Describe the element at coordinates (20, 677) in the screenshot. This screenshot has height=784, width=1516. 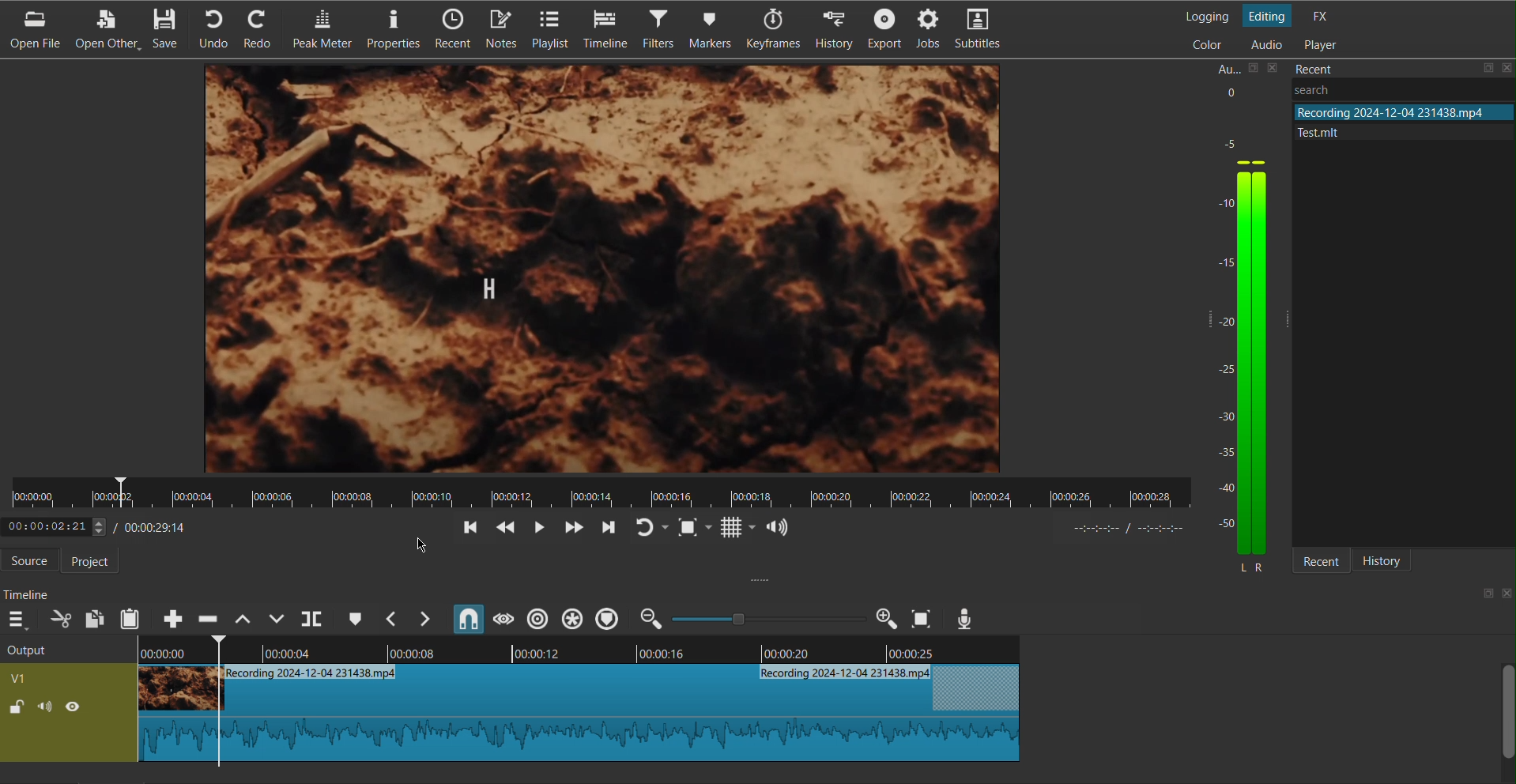
I see `v1` at that location.